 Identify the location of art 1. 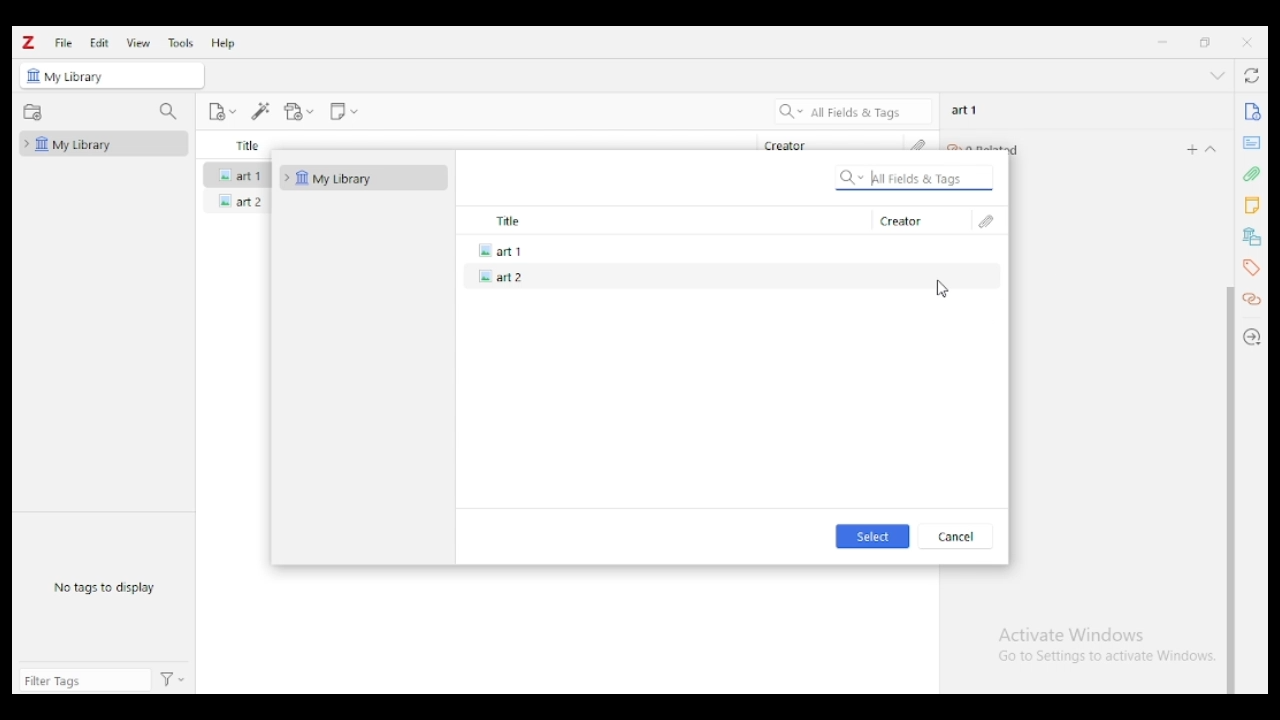
(728, 249).